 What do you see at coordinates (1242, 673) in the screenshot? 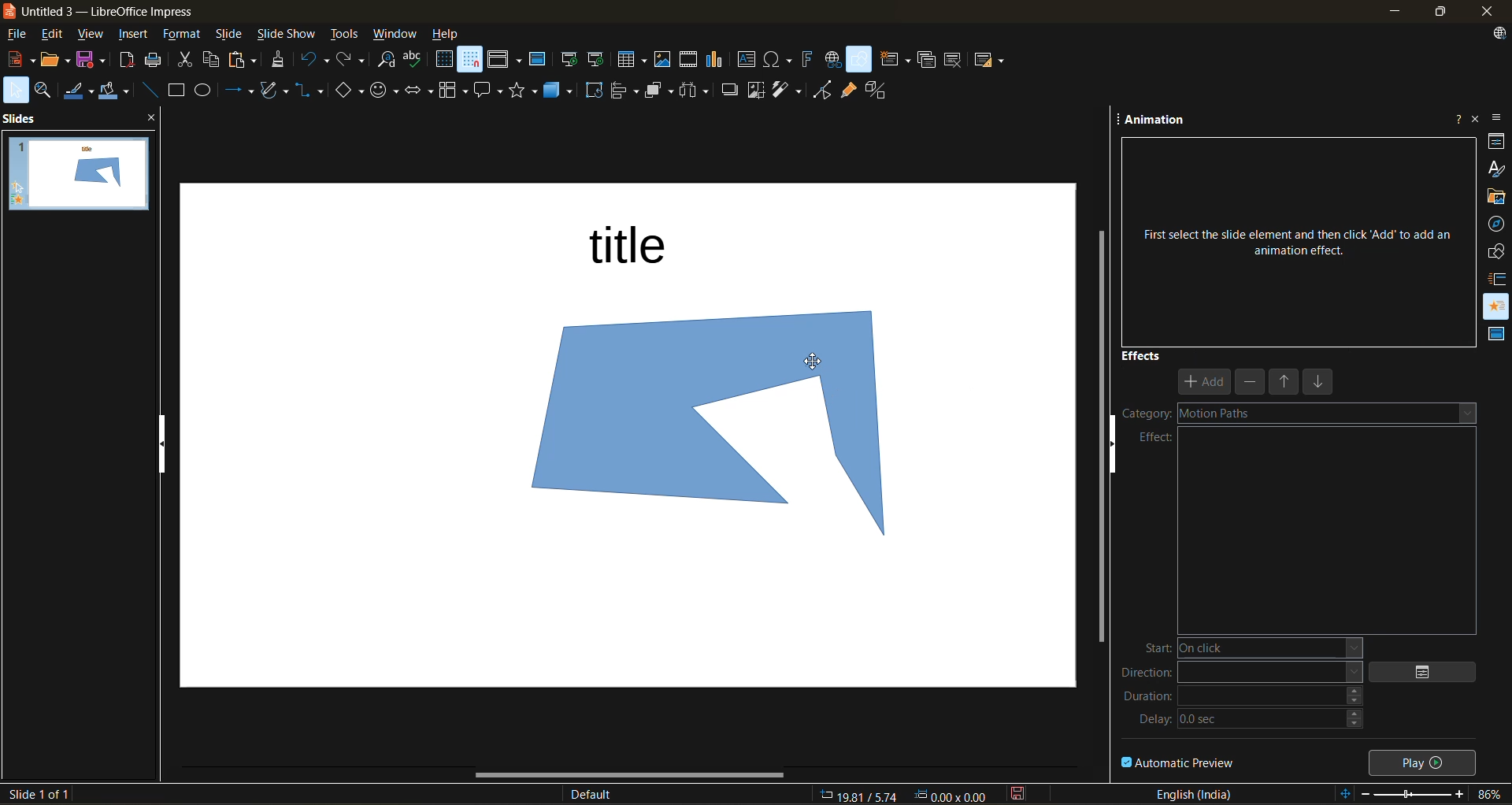
I see `direction` at bounding box center [1242, 673].